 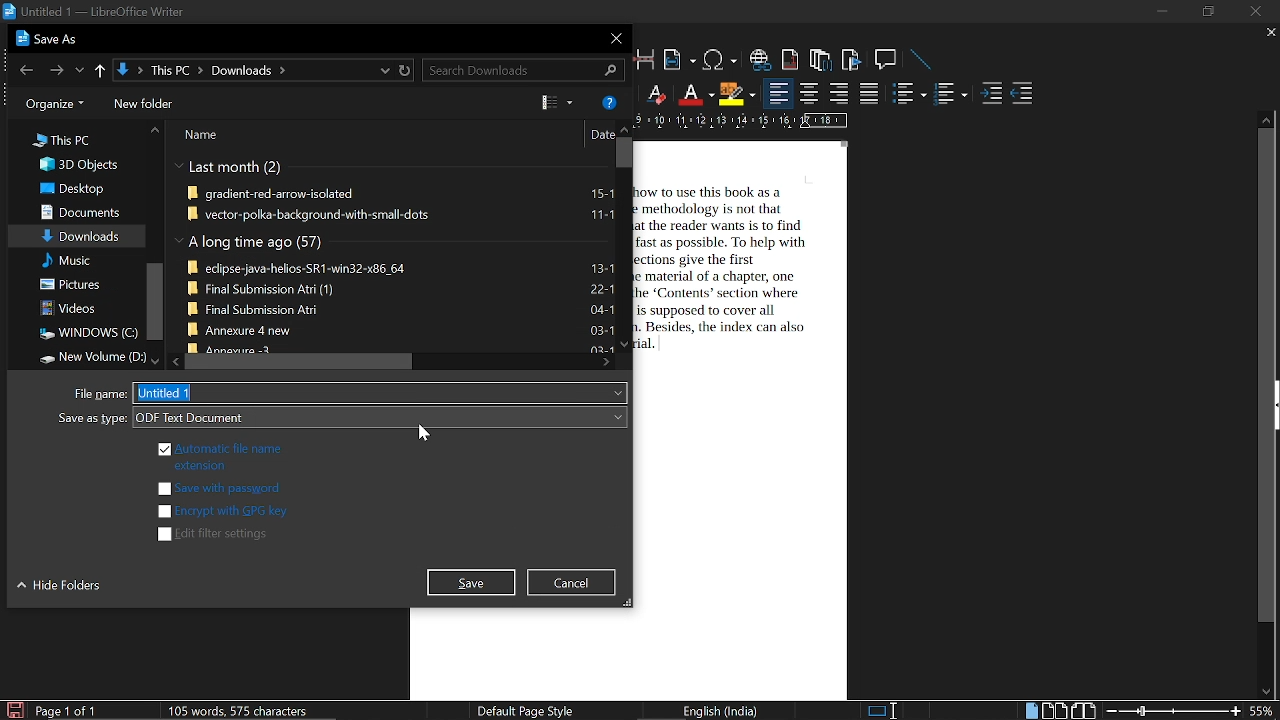 I want to click on Pictures, so click(x=73, y=284).